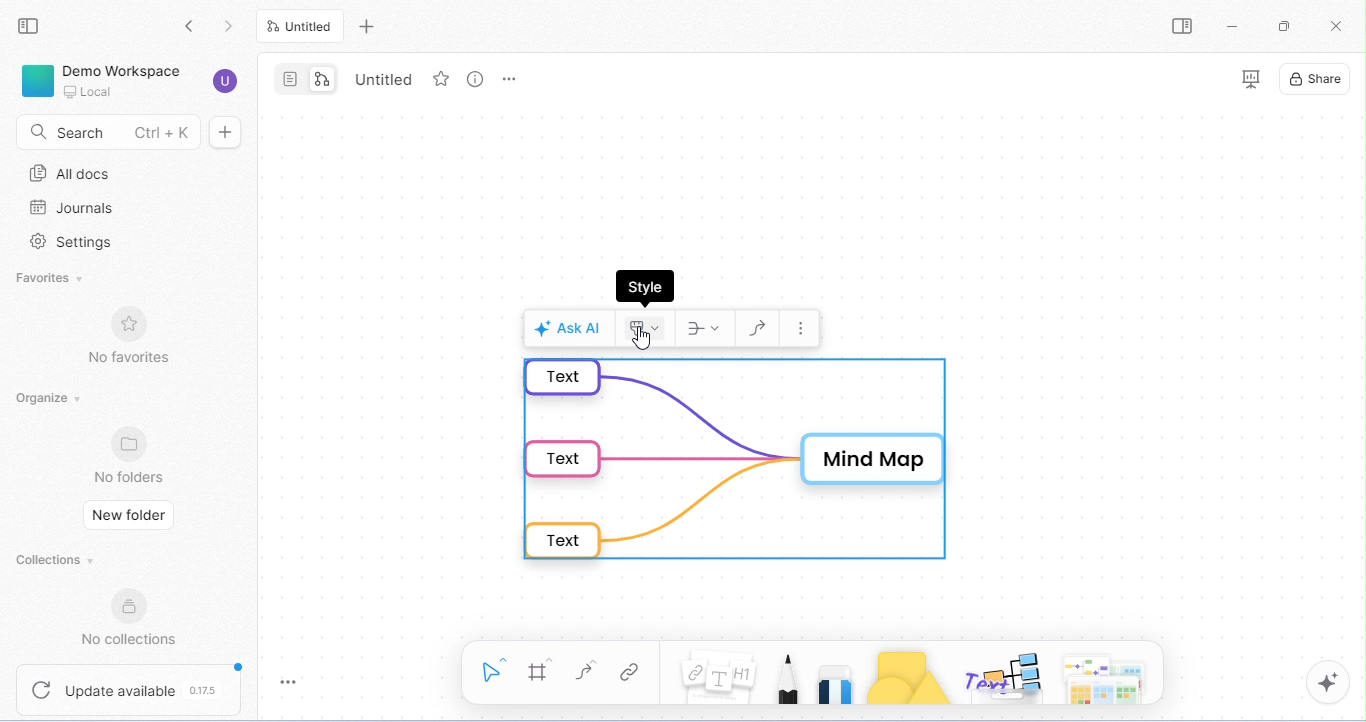 The image size is (1366, 722). What do you see at coordinates (364, 27) in the screenshot?
I see `new tab` at bounding box center [364, 27].